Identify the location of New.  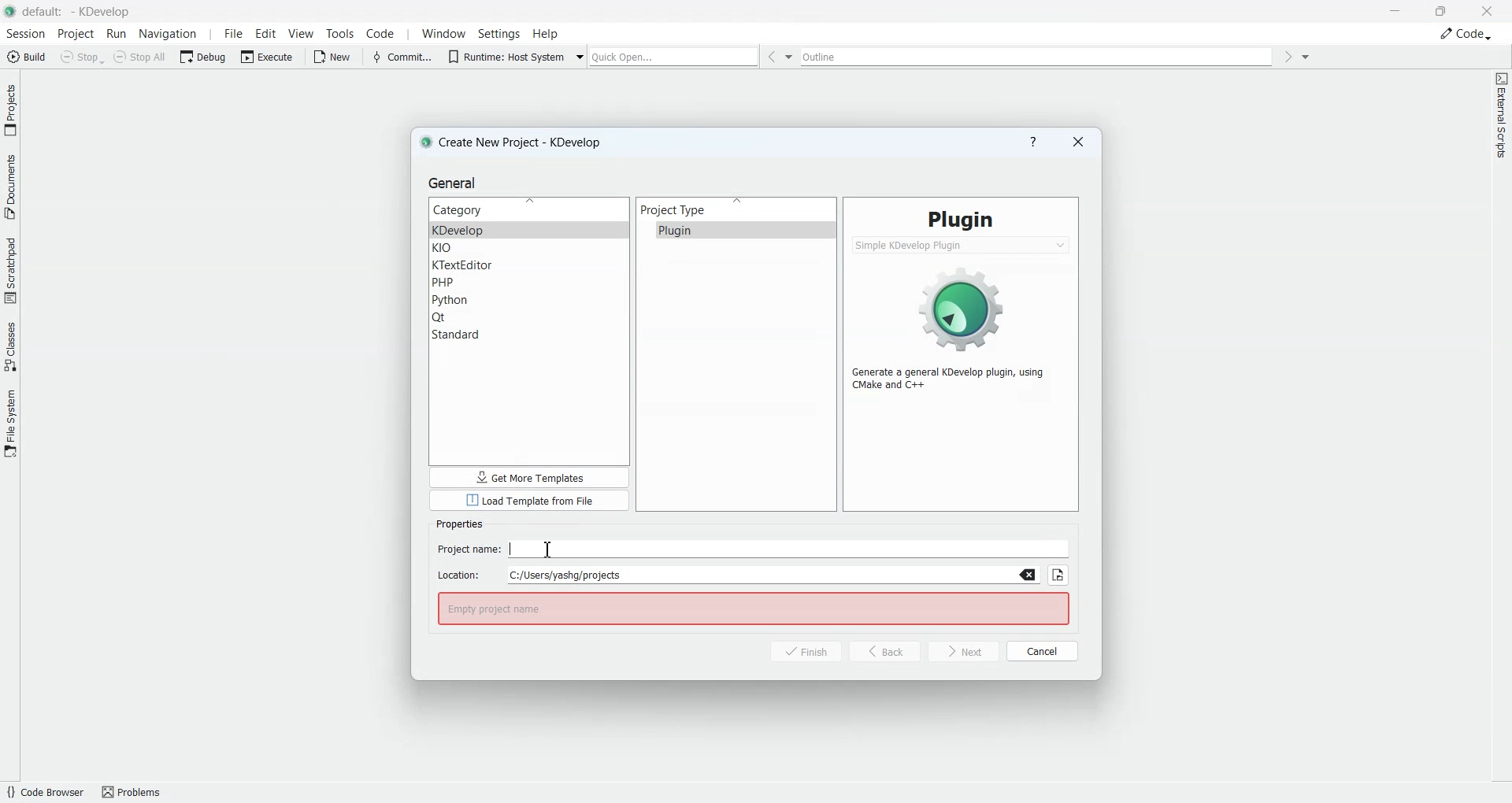
(335, 57).